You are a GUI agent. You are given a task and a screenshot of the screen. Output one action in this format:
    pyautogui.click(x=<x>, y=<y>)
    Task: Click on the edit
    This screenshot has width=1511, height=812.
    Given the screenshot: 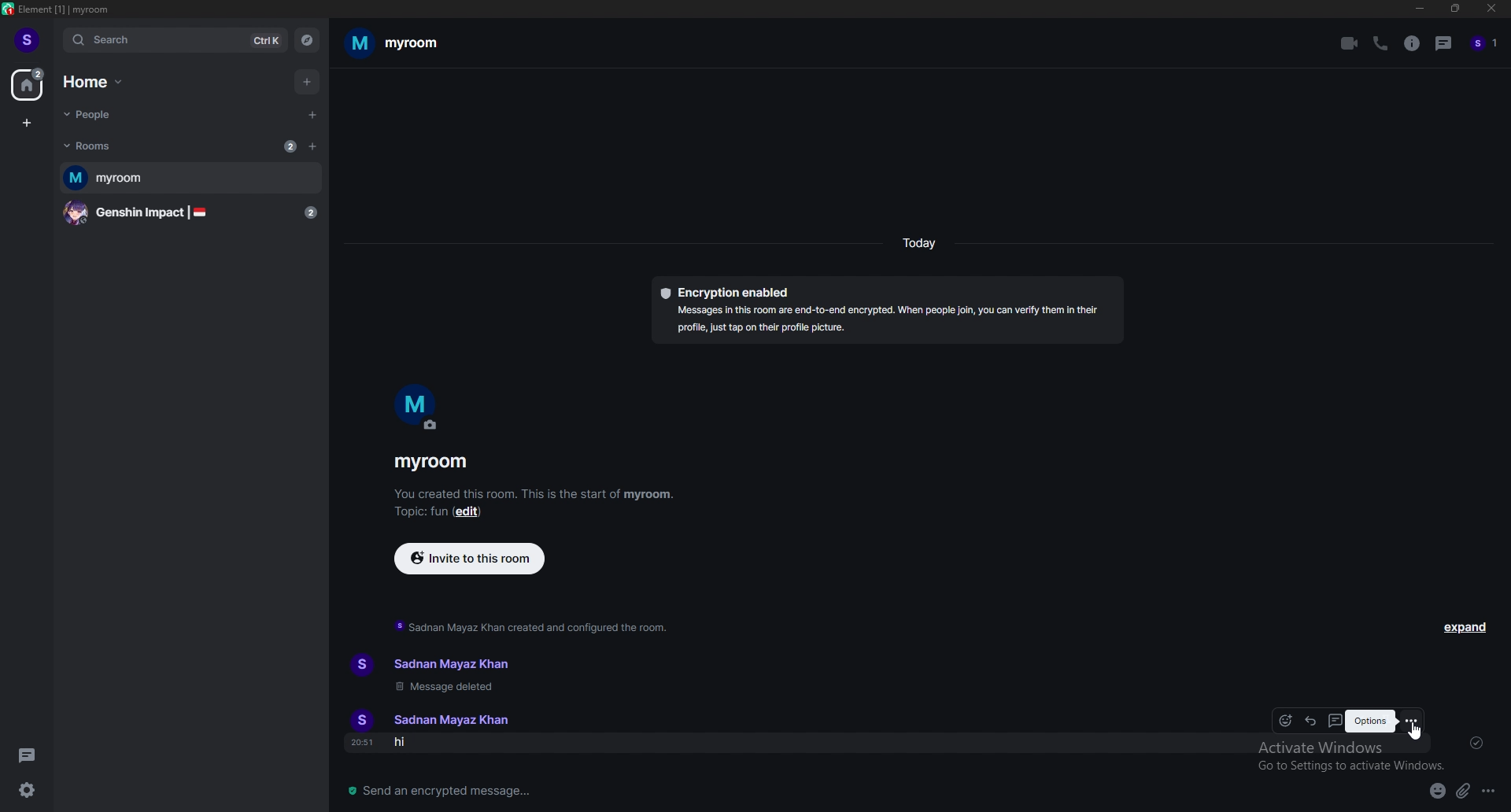 What is the action you would take?
    pyautogui.click(x=469, y=513)
    